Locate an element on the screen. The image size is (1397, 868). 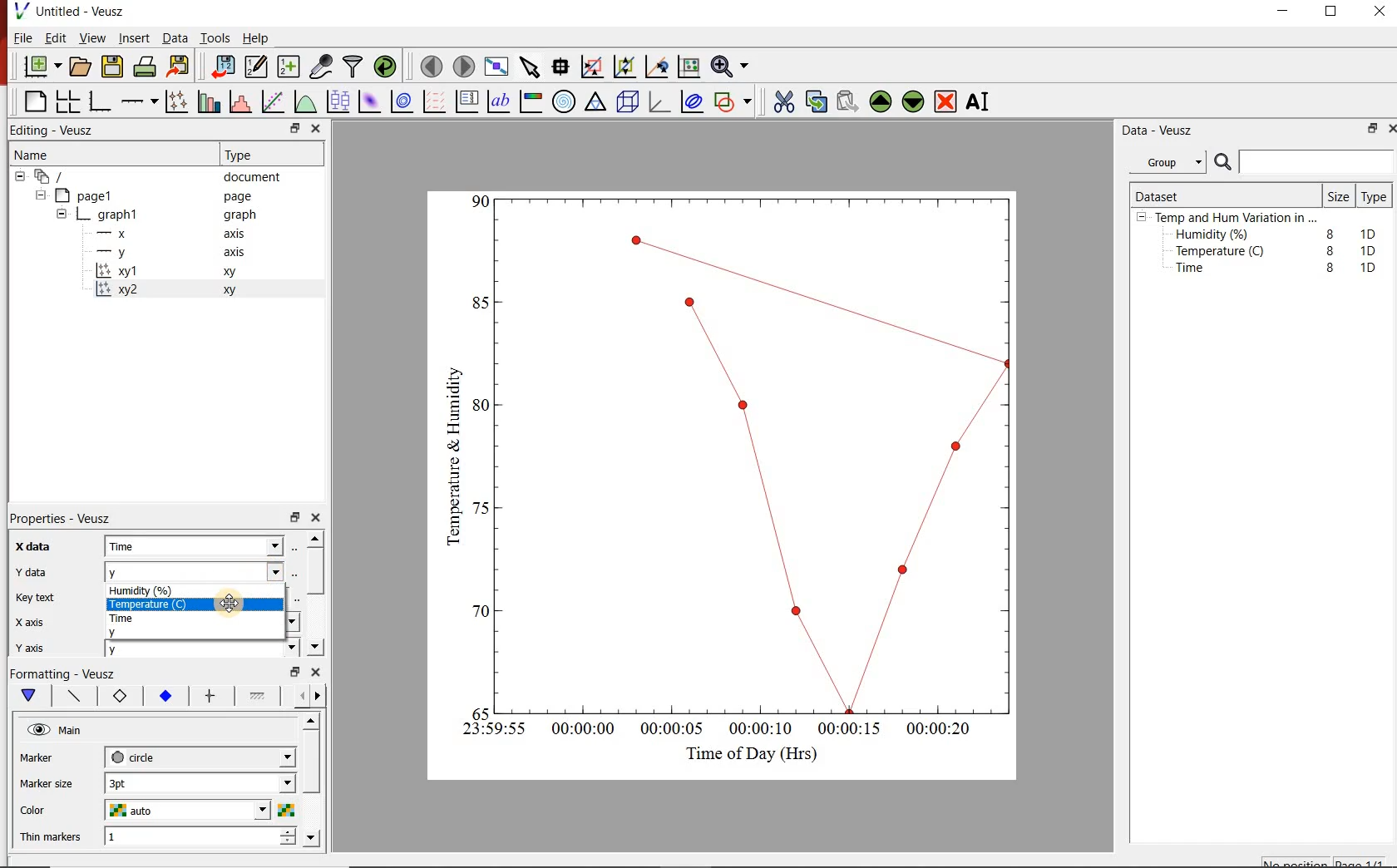
base graph is located at coordinates (101, 99).